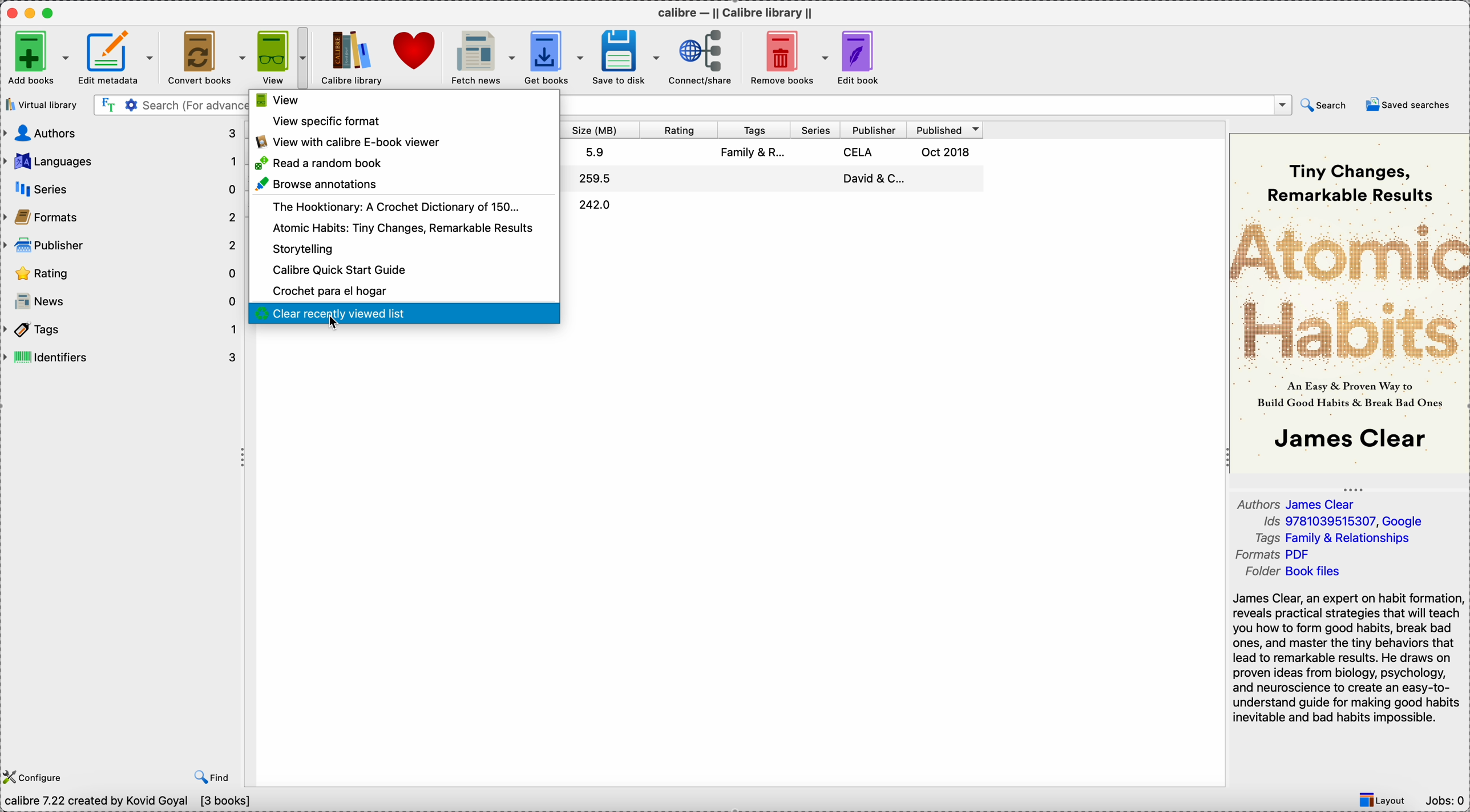  What do you see at coordinates (700, 57) in the screenshot?
I see `connect/share` at bounding box center [700, 57].